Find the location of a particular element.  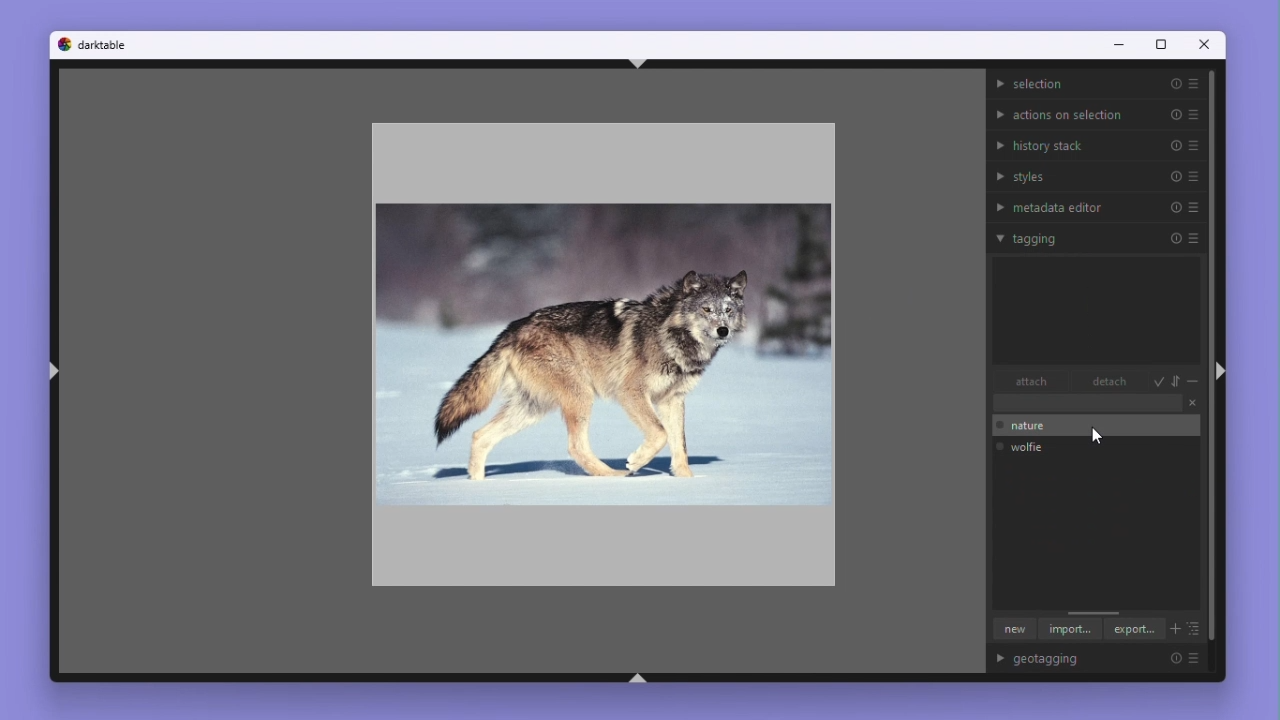

Minimise is located at coordinates (1194, 383).